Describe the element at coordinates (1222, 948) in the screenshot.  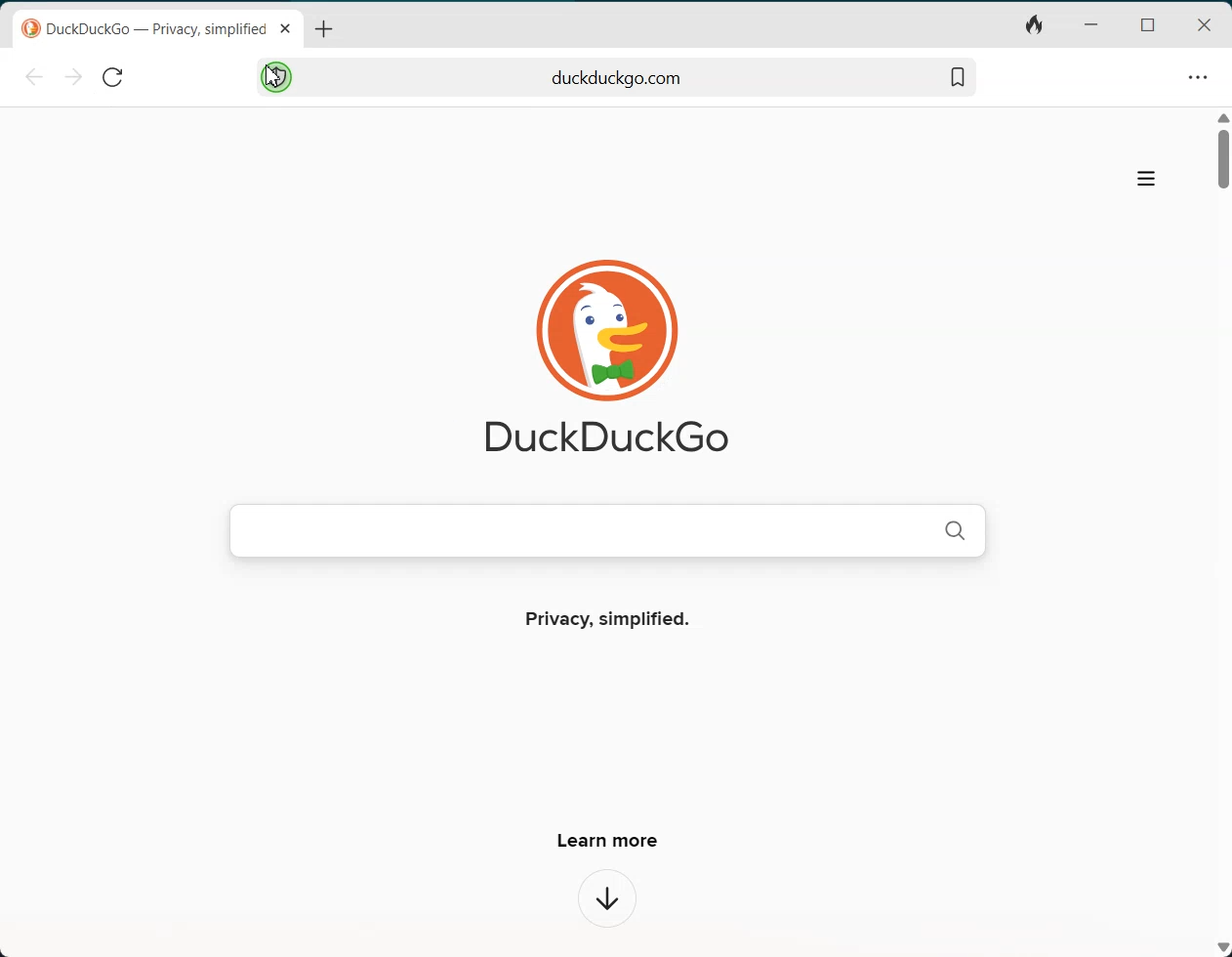
I see `scroll down` at that location.